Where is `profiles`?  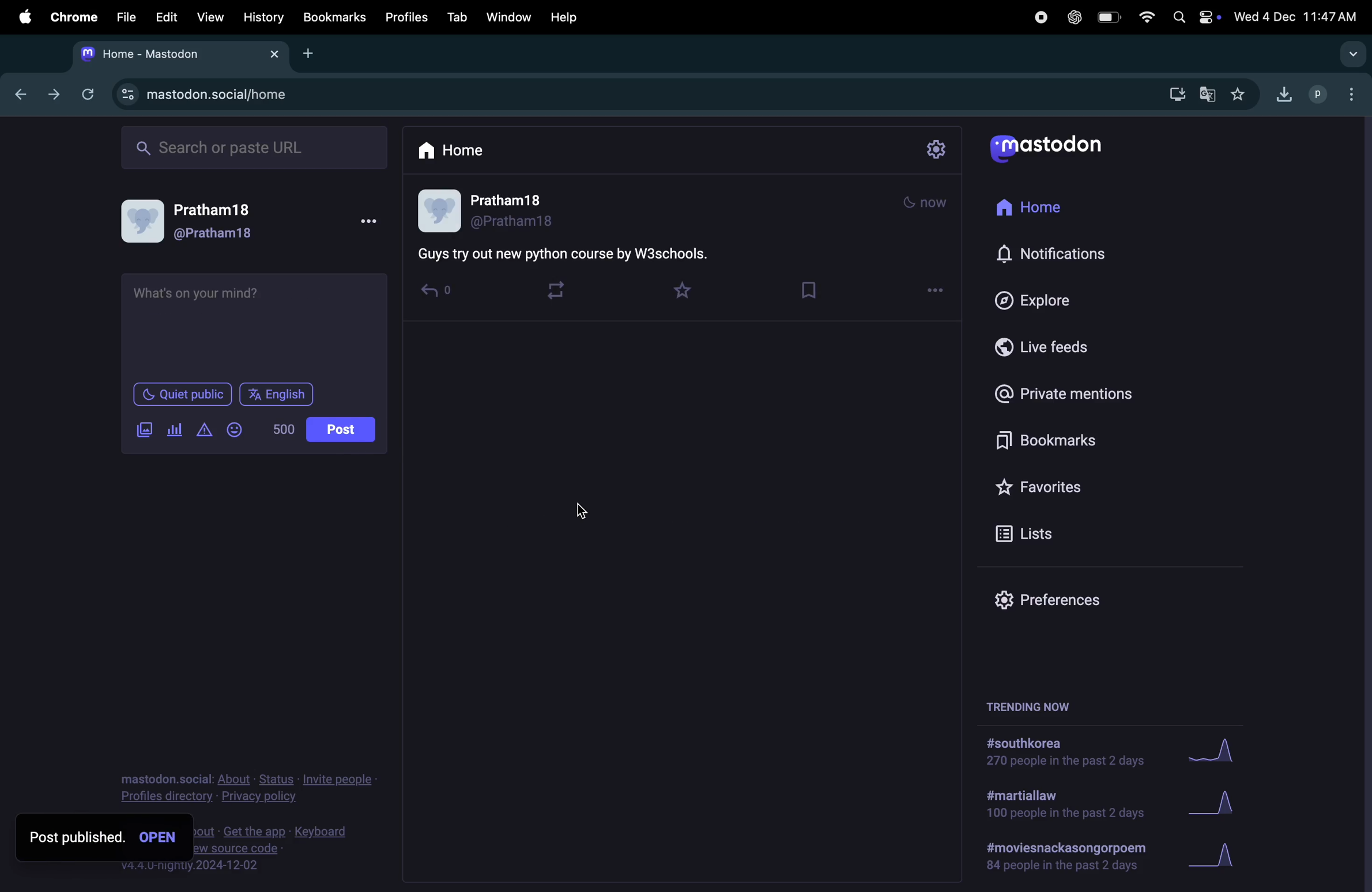 profiles is located at coordinates (405, 17).